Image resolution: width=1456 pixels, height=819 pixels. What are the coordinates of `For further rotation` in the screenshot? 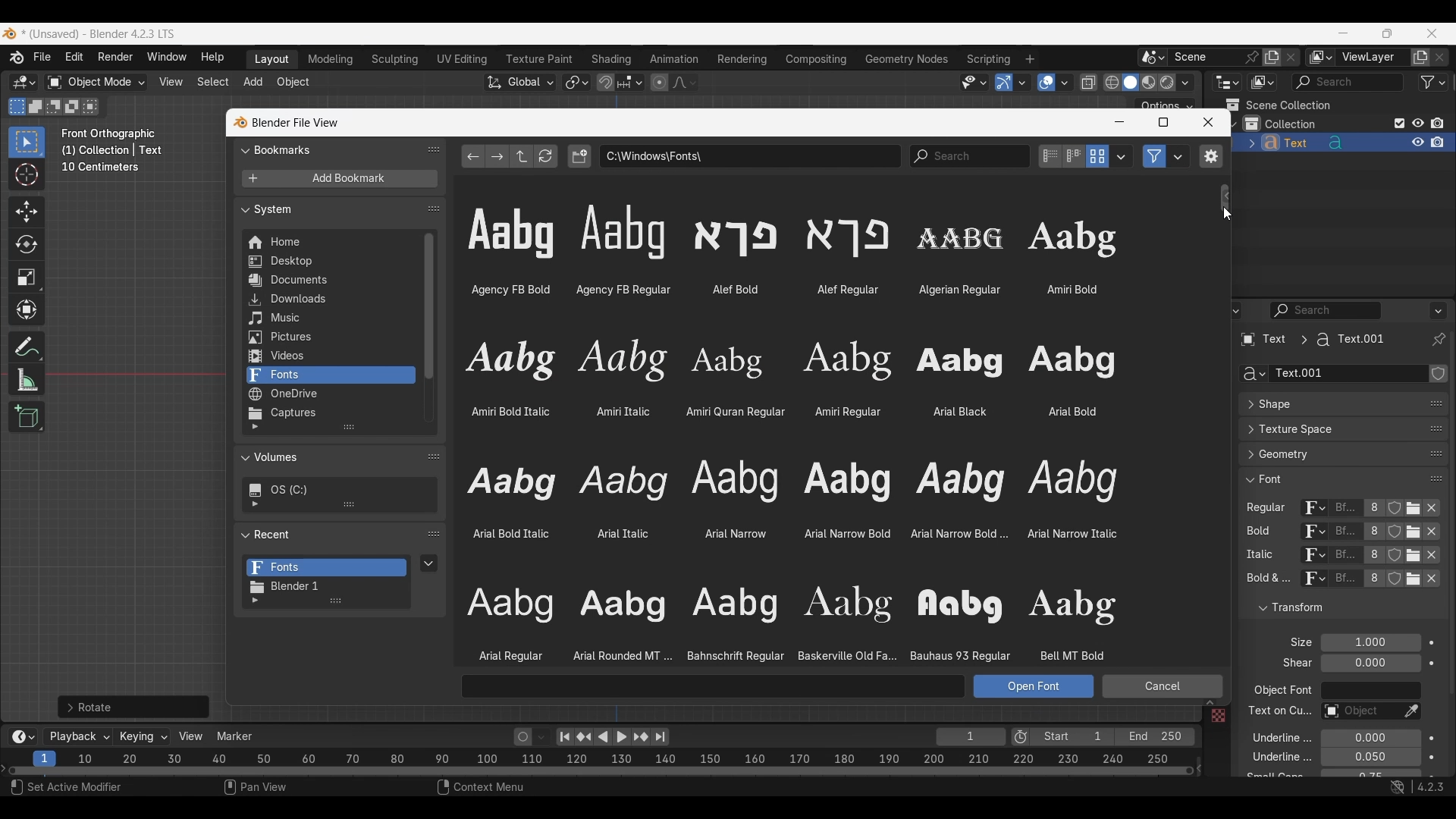 It's located at (133, 707).